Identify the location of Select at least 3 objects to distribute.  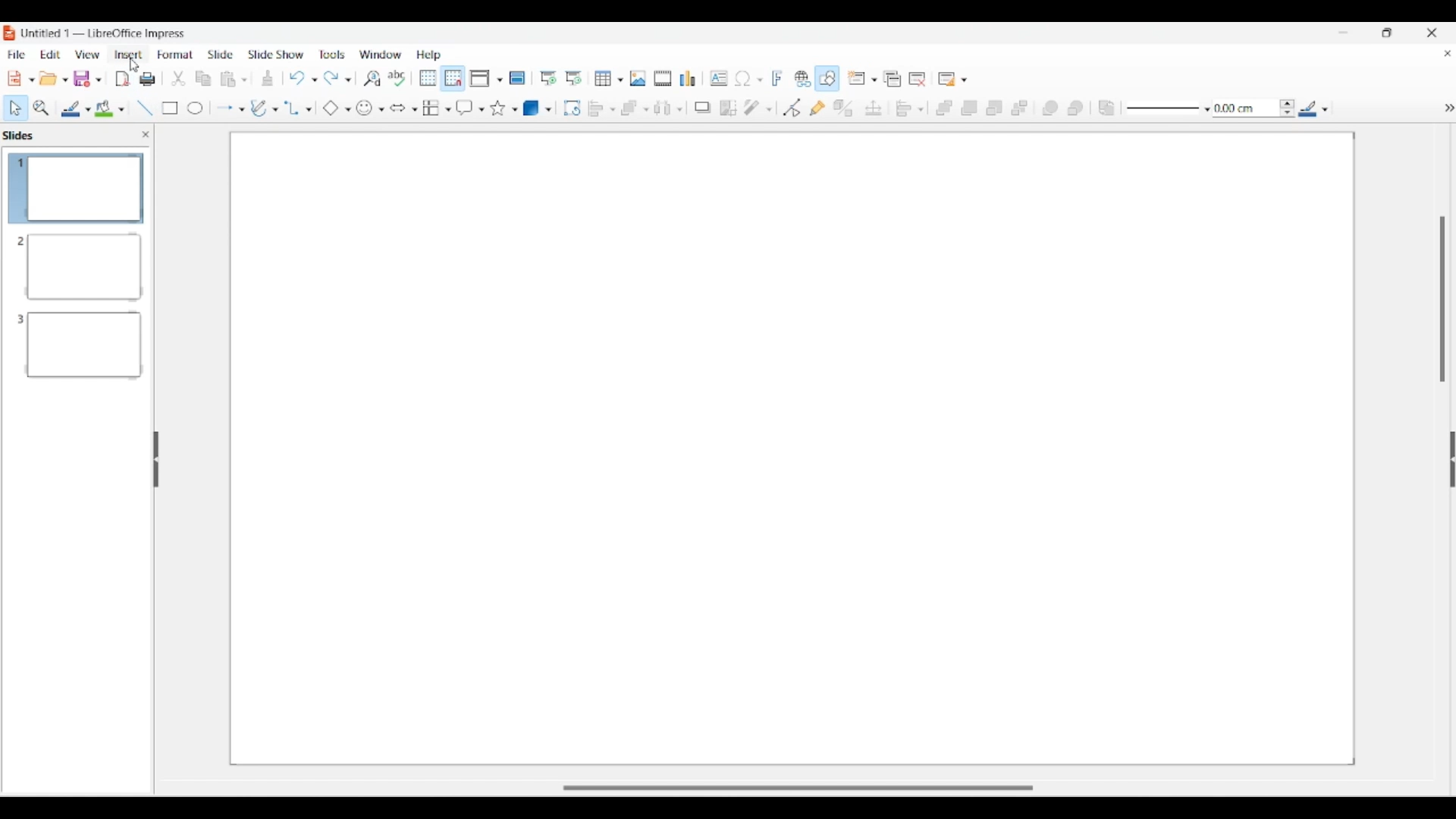
(668, 108).